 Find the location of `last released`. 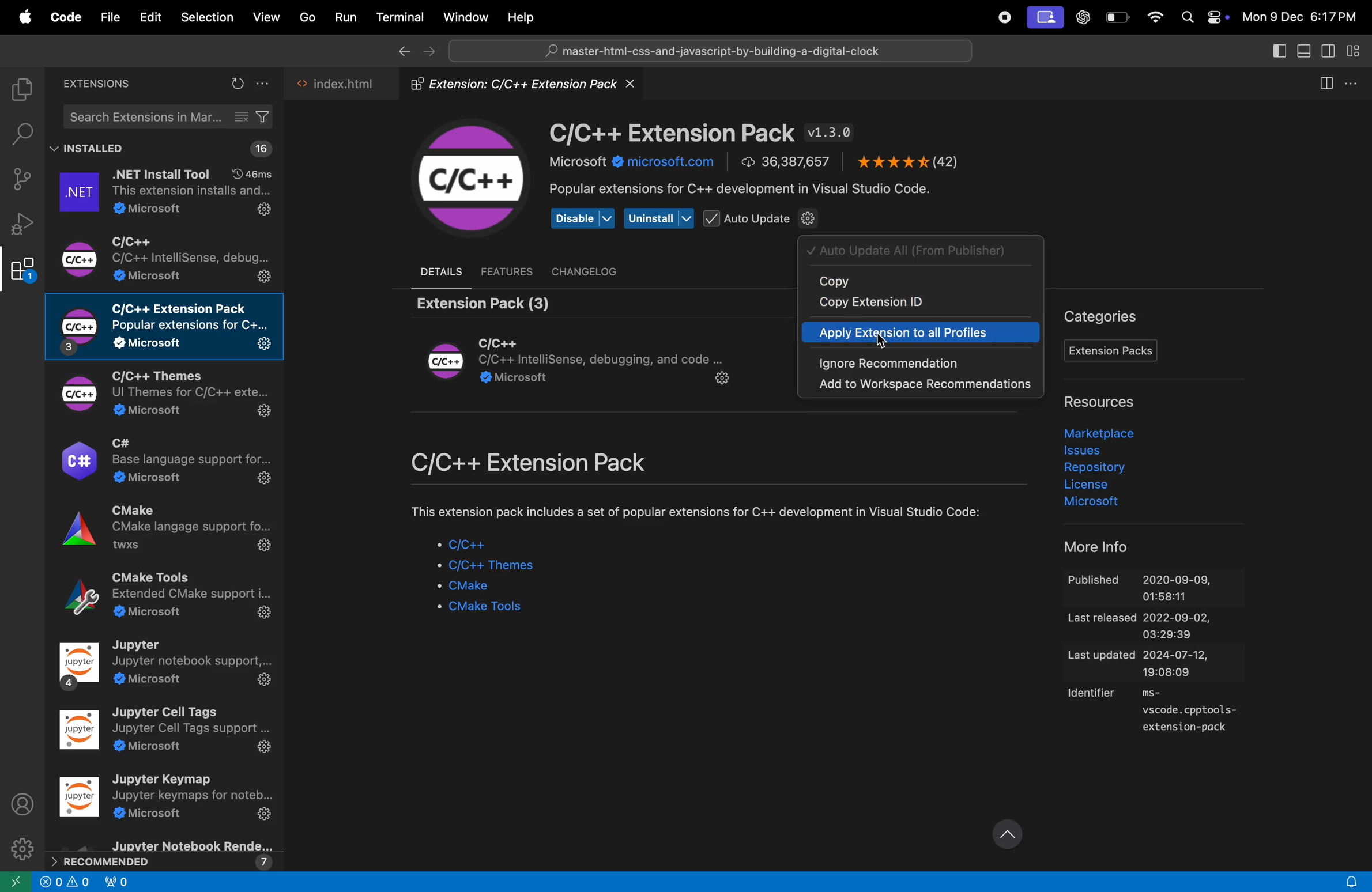

last released is located at coordinates (1160, 627).